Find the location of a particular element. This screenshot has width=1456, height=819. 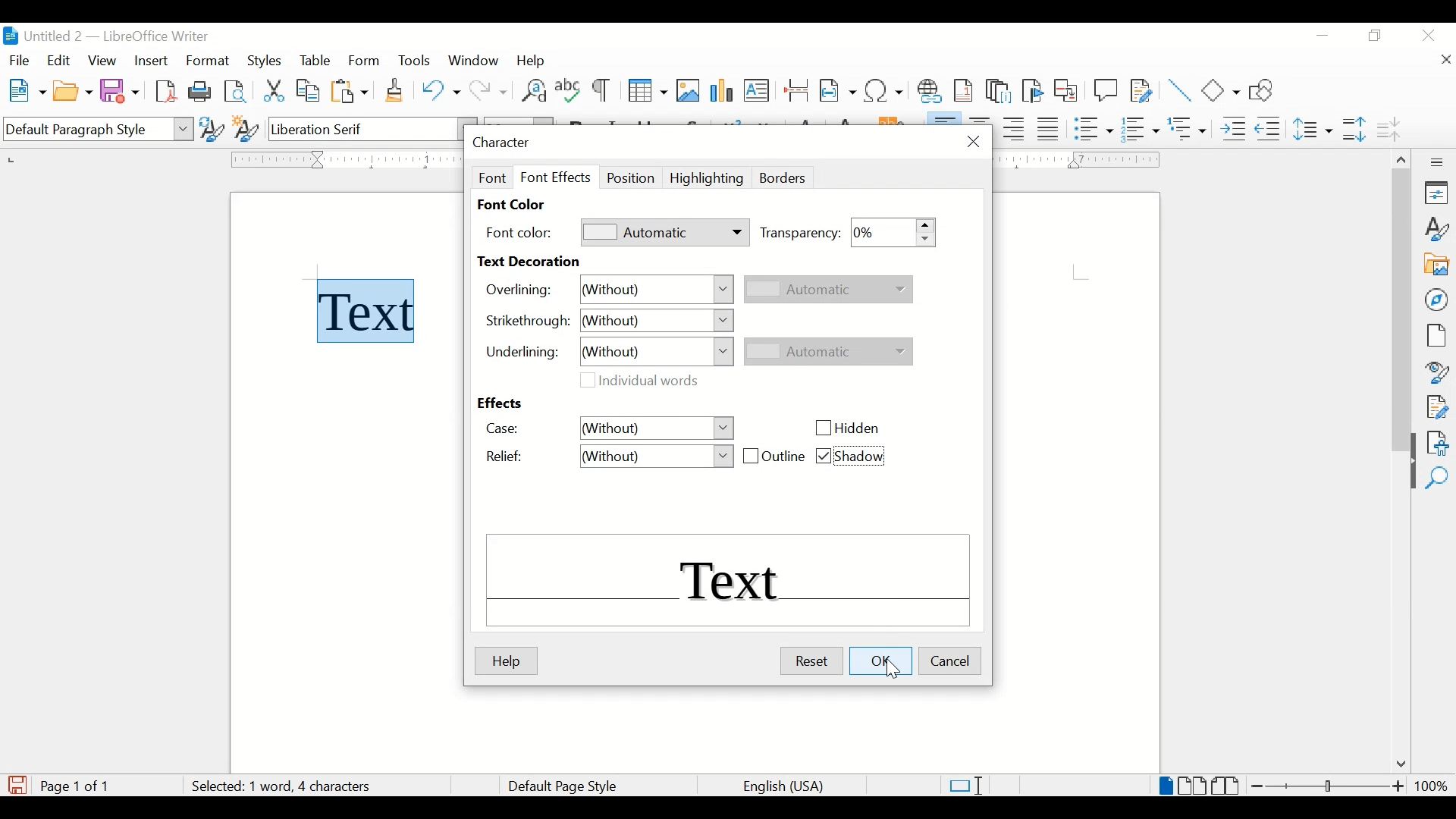

insert page break is located at coordinates (796, 89).